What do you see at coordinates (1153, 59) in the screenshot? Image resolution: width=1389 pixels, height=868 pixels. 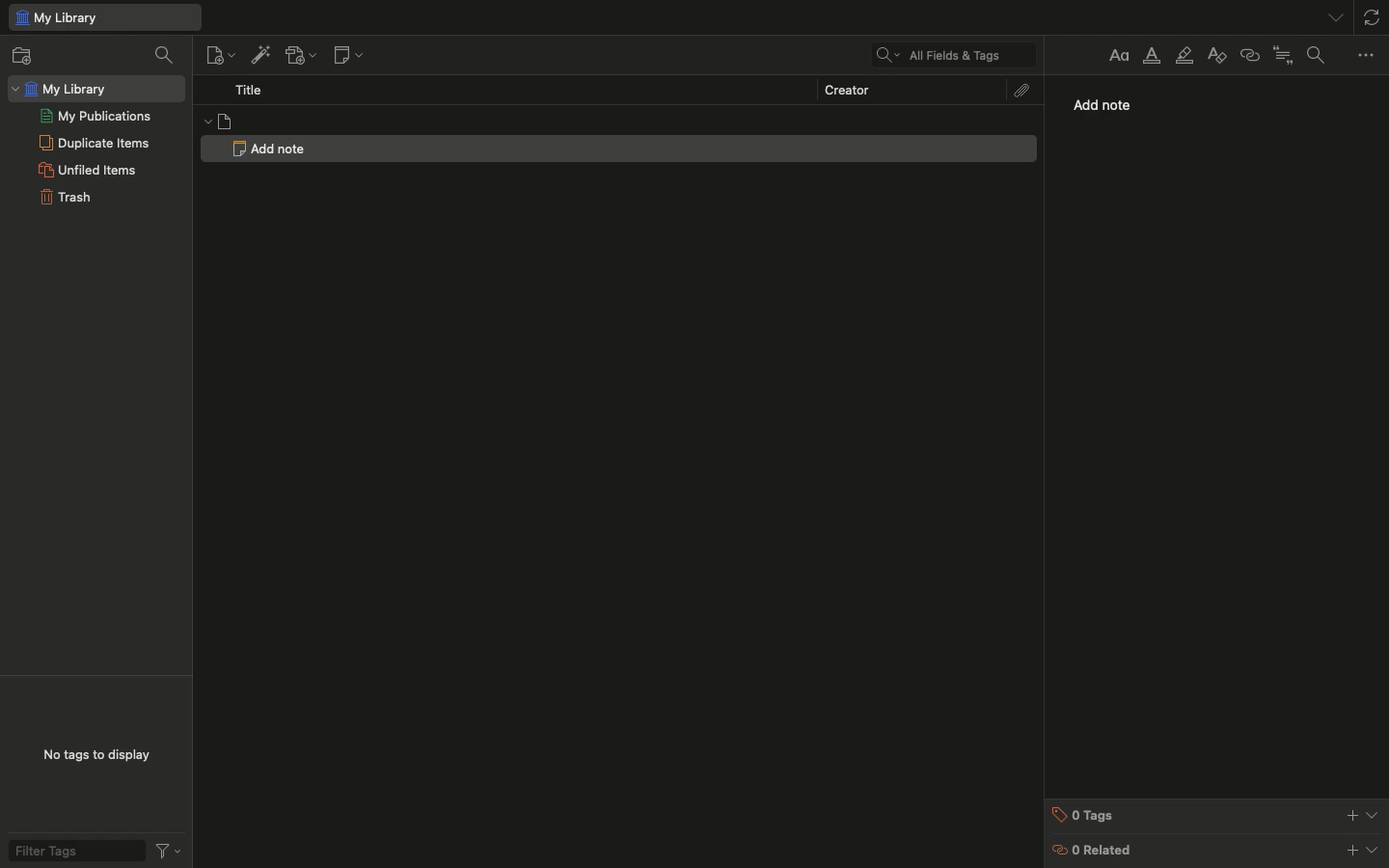 I see `Text color` at bounding box center [1153, 59].